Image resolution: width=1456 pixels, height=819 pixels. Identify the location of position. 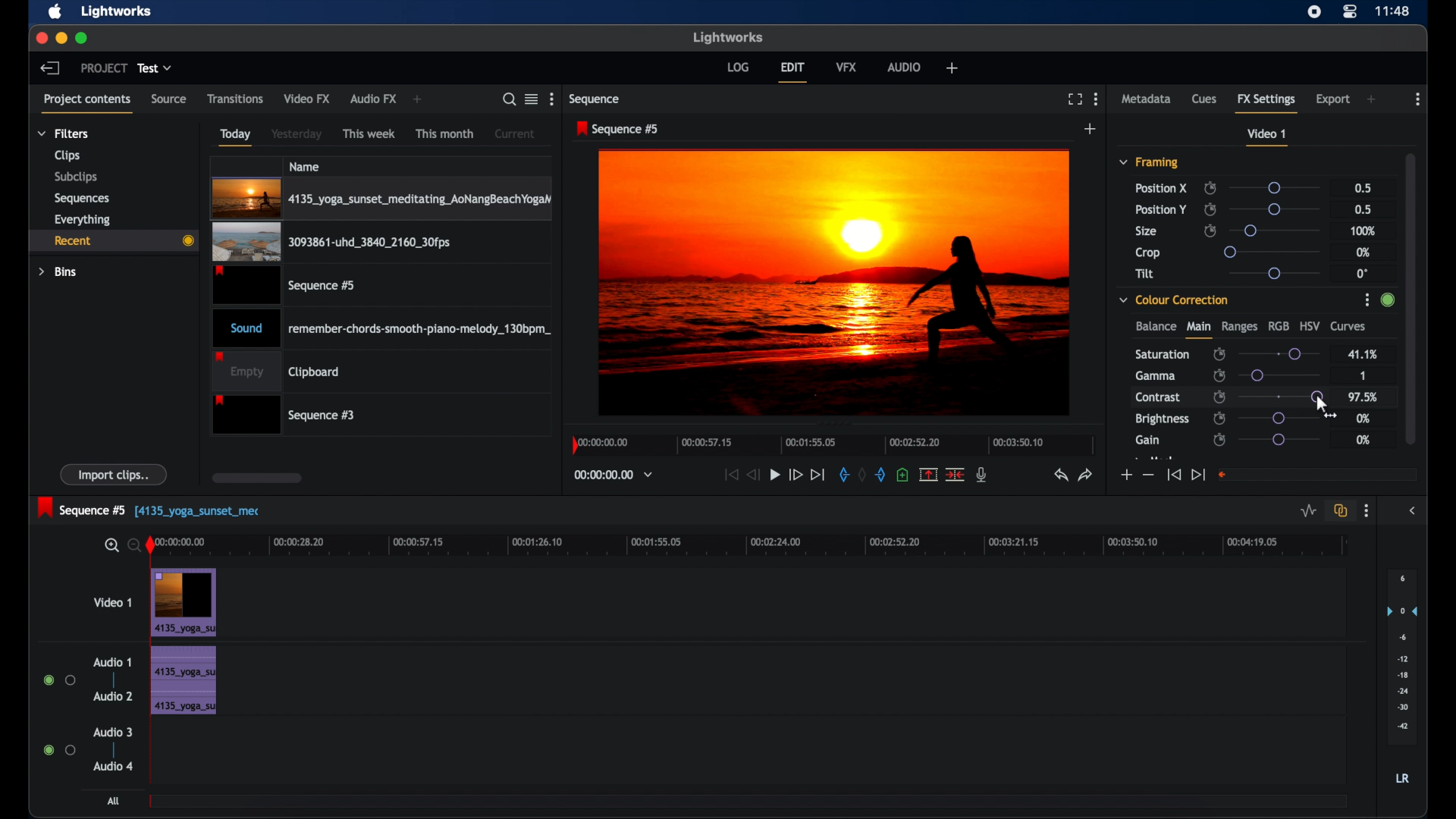
(1161, 209).